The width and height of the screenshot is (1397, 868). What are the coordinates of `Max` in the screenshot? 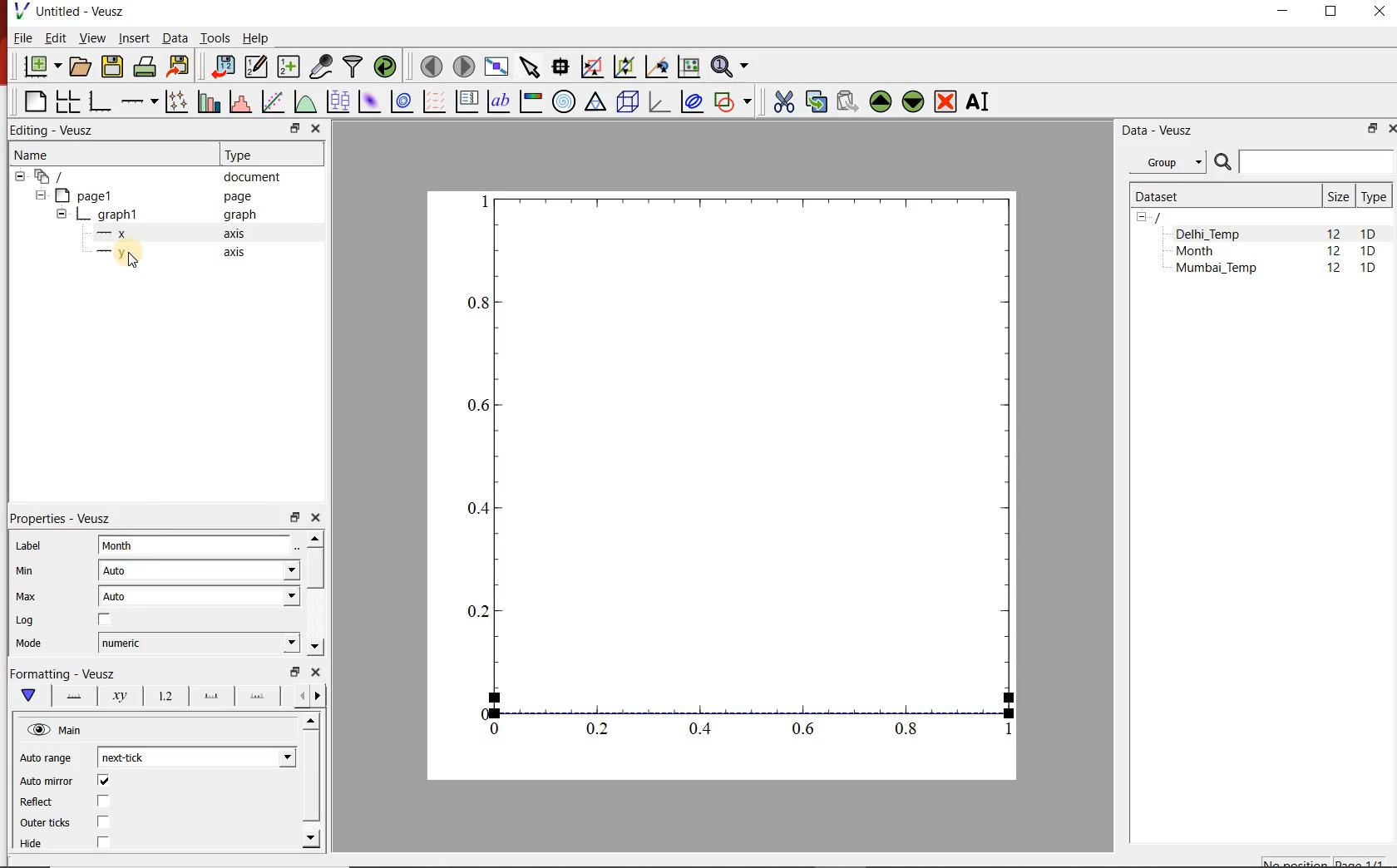 It's located at (27, 596).